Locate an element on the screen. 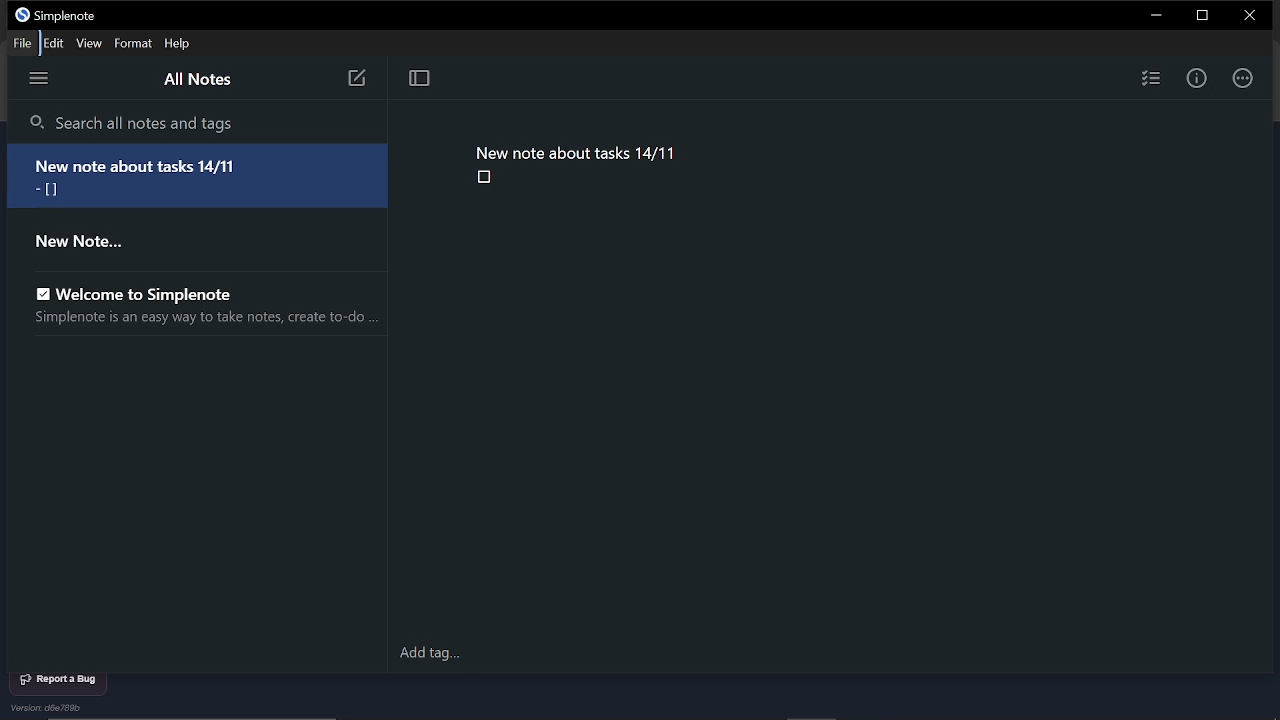 Image resolution: width=1280 pixels, height=720 pixels. Search all notes and tags is located at coordinates (197, 122).